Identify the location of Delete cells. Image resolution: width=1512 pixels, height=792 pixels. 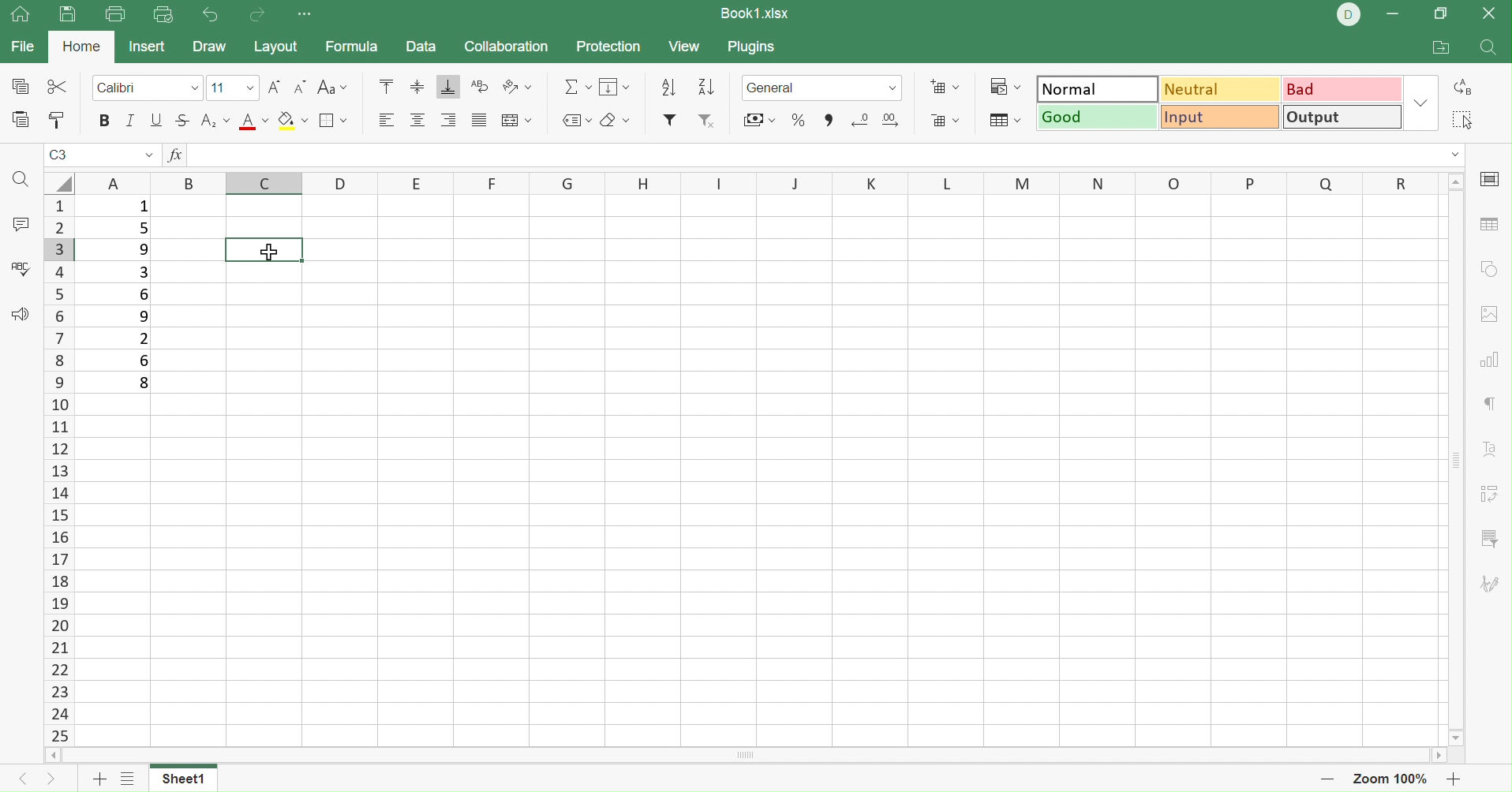
(946, 123).